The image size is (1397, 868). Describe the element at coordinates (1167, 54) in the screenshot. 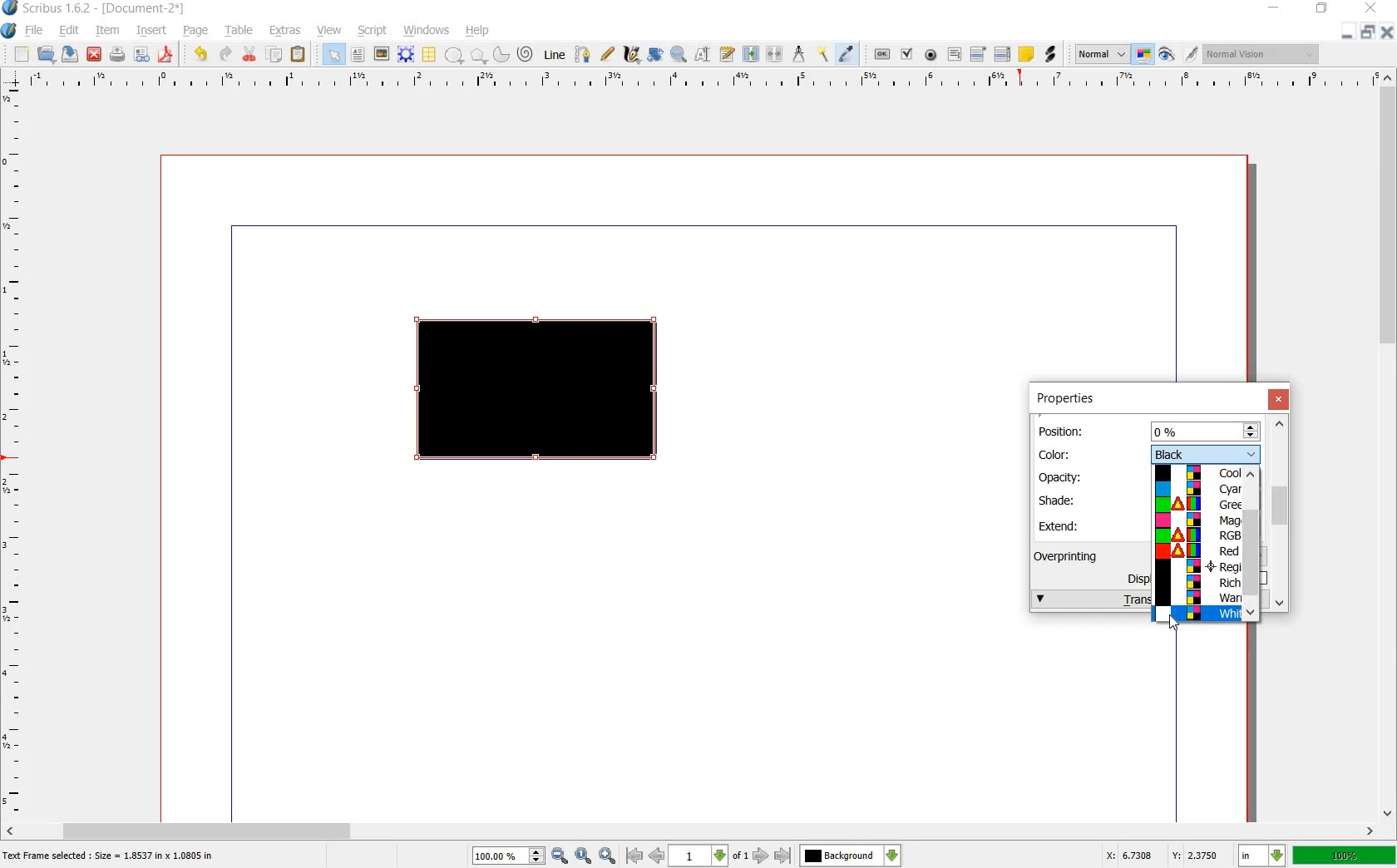

I see `preview mode` at that location.